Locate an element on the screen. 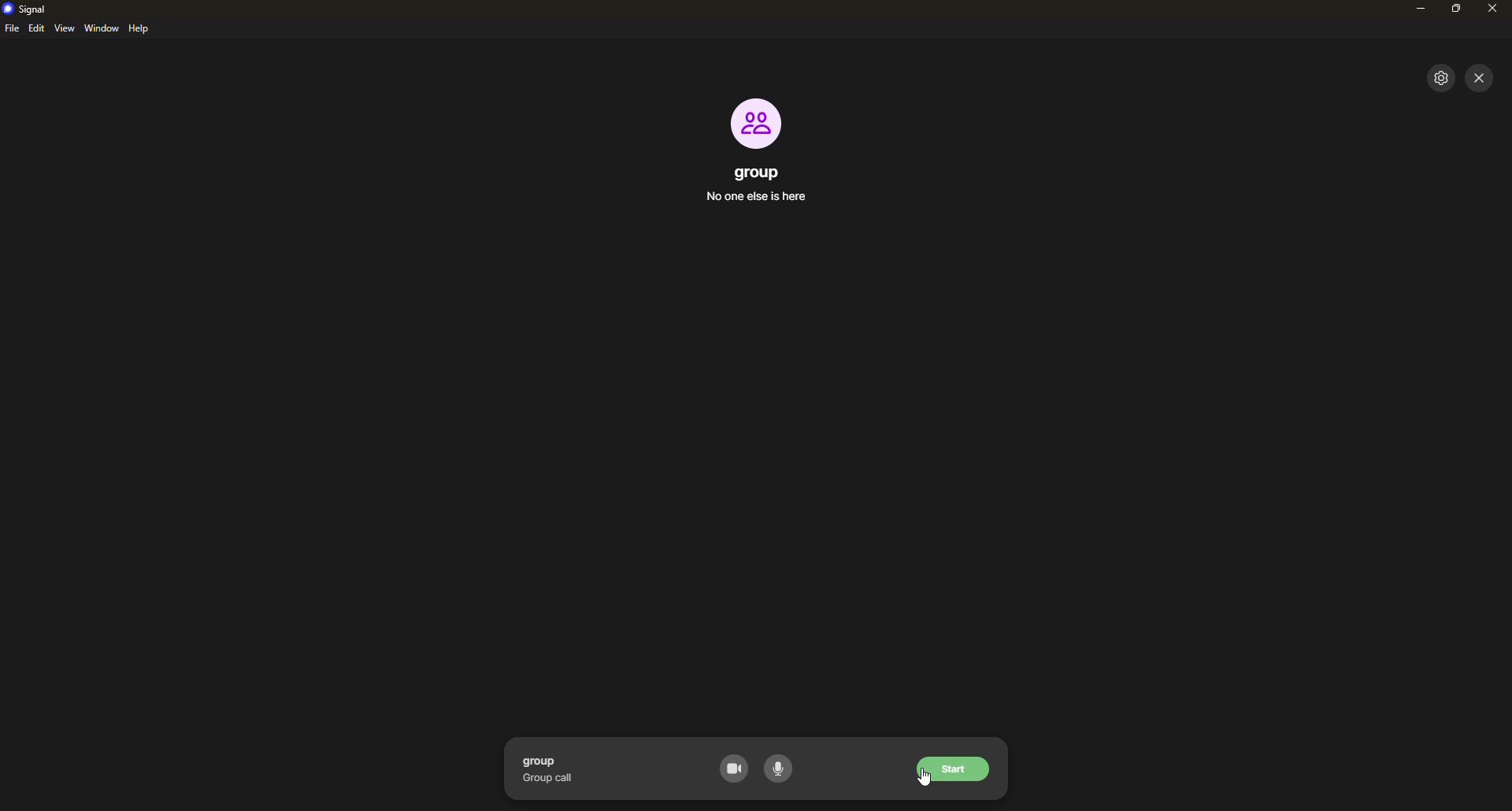 The image size is (1512, 811). mute mic is located at coordinates (780, 767).